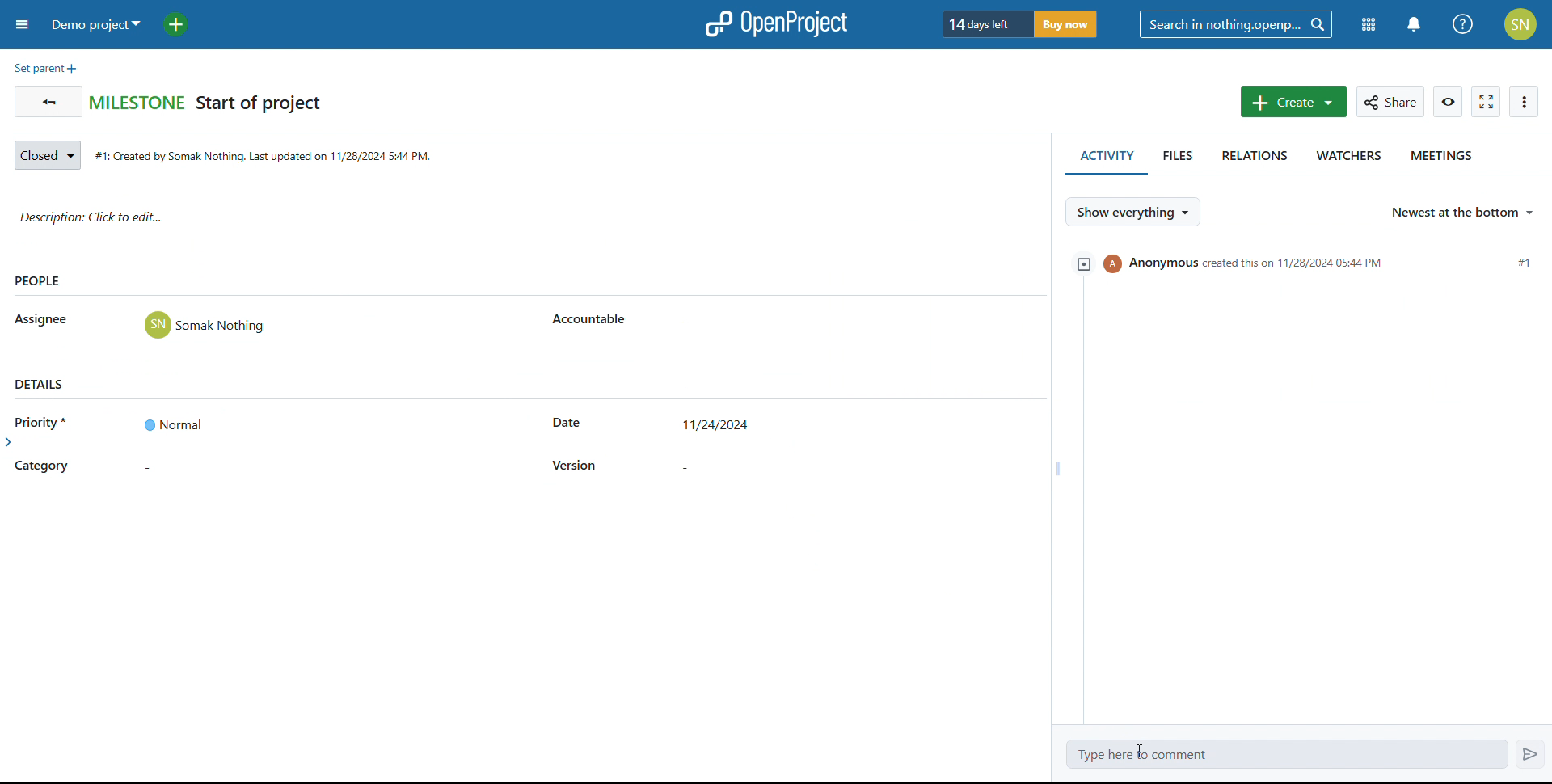 The height and width of the screenshot is (784, 1552). I want to click on start date, so click(567, 424).